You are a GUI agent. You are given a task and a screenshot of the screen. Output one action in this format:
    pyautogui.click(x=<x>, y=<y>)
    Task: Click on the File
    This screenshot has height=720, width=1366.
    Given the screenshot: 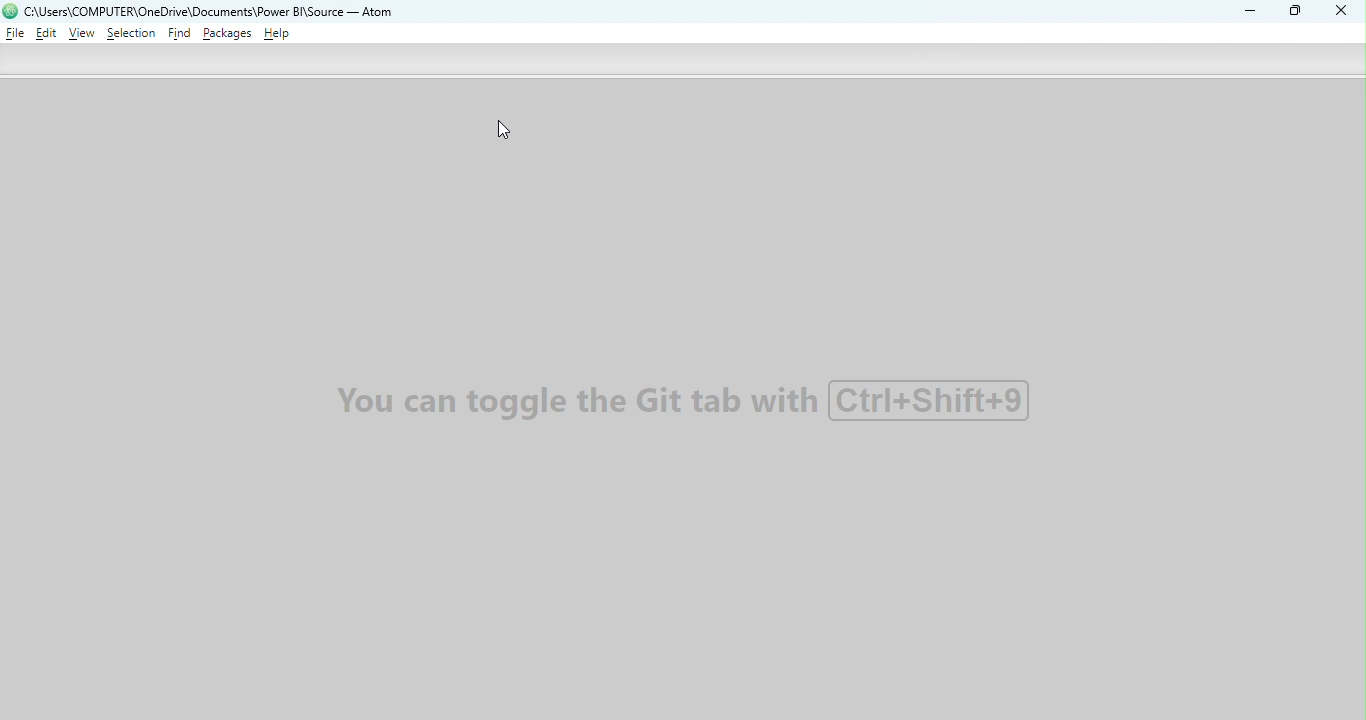 What is the action you would take?
    pyautogui.click(x=15, y=33)
    